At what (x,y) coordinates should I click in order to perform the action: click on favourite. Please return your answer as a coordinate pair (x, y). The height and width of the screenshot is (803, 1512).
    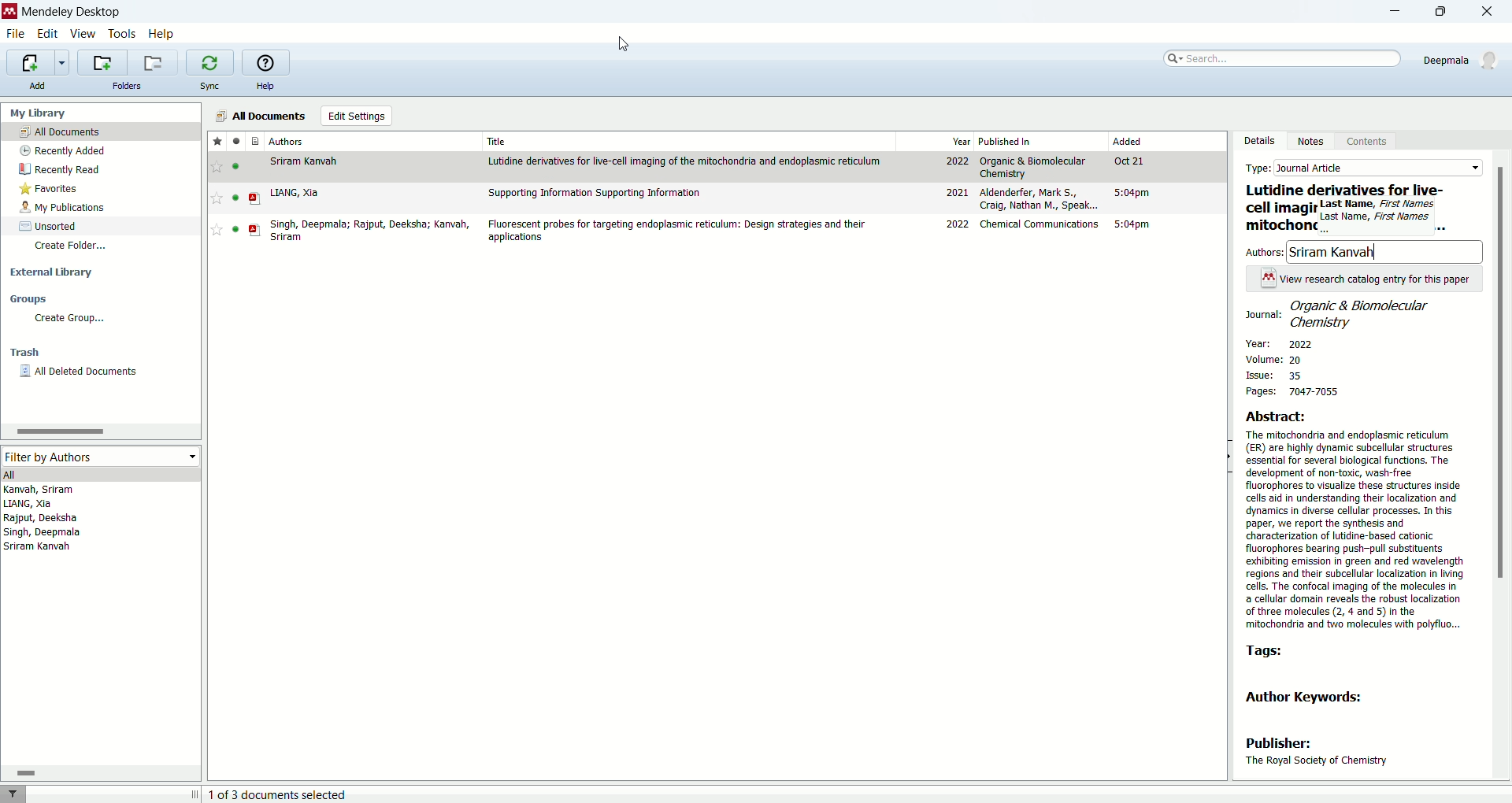
    Looking at the image, I should click on (217, 167).